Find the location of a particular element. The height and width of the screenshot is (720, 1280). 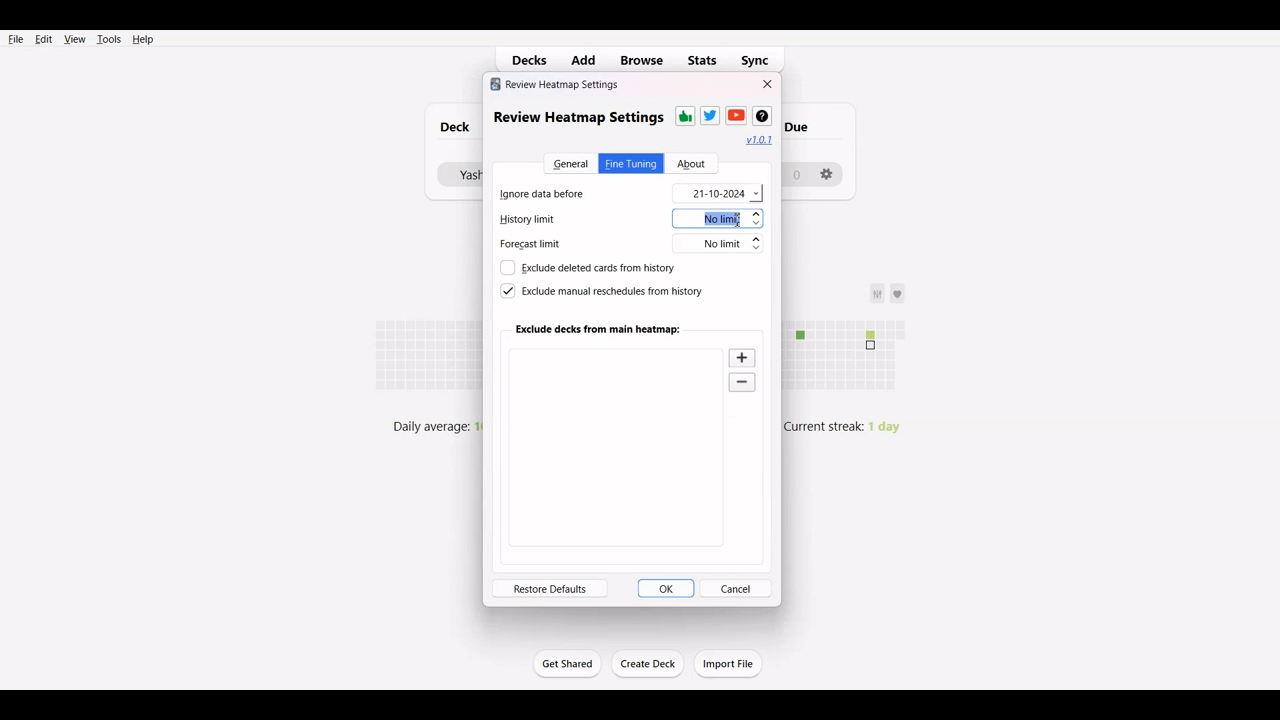

Edit is located at coordinates (43, 39).